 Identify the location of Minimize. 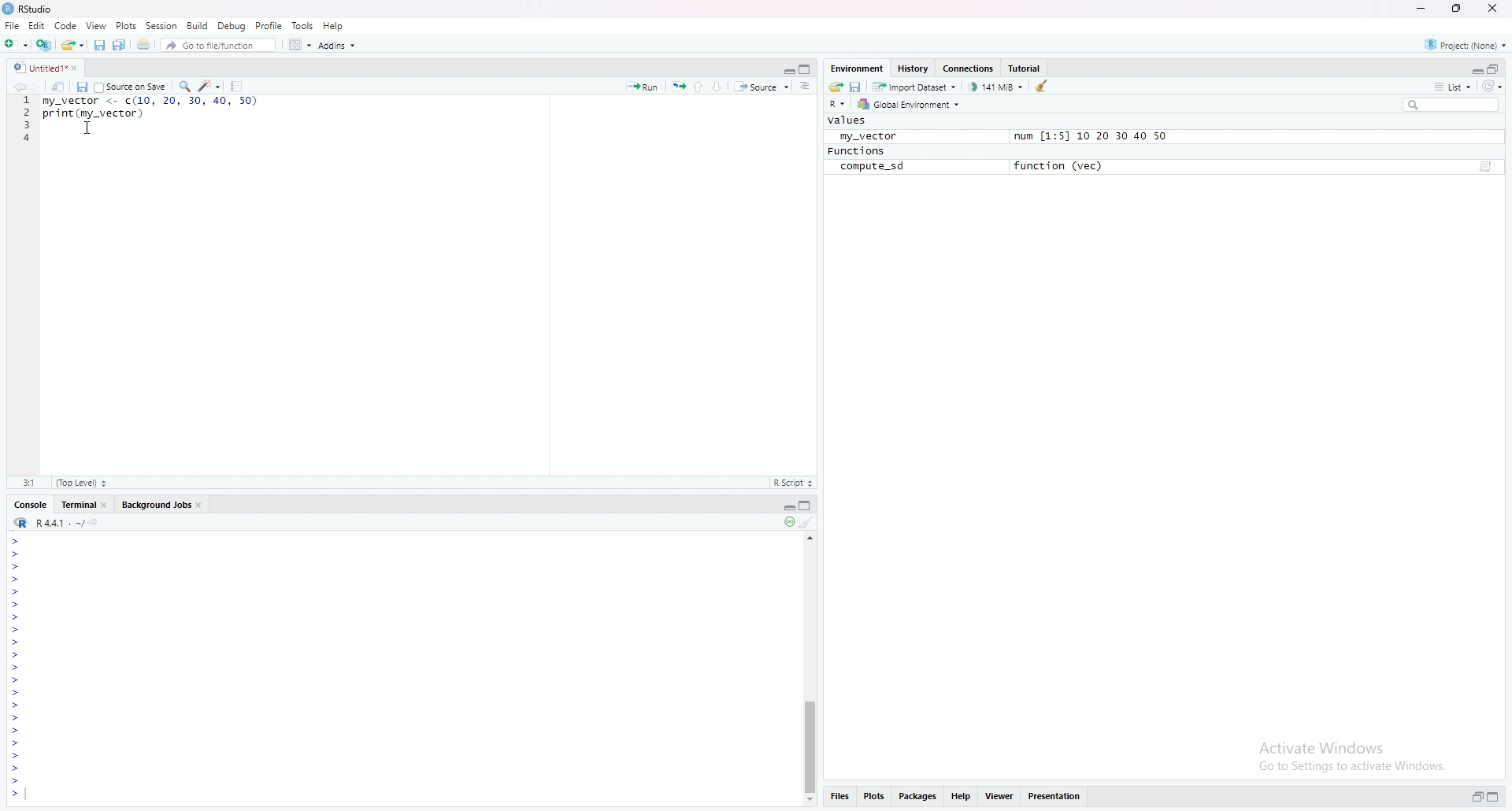
(1476, 70).